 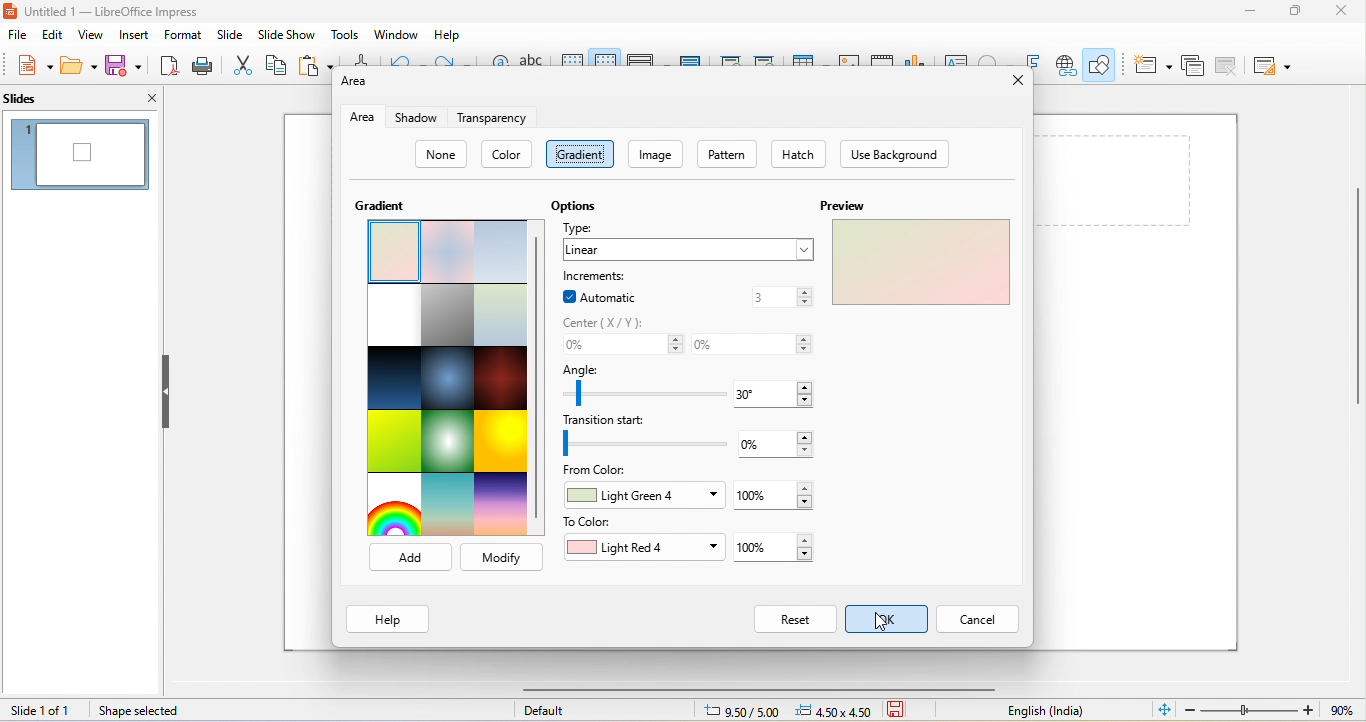 I want to click on adjust, so click(x=808, y=393).